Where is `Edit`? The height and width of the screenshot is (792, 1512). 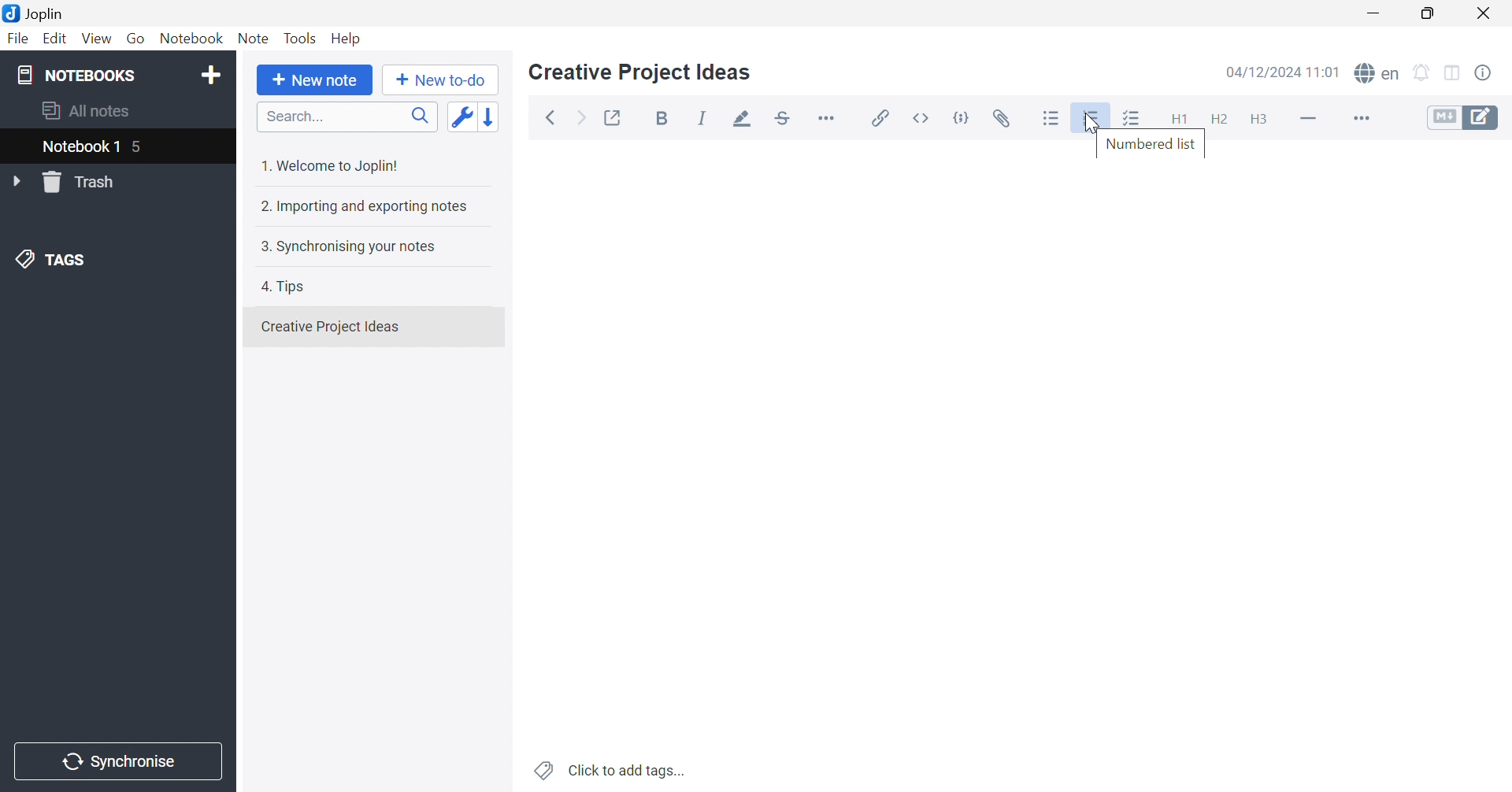 Edit is located at coordinates (56, 41).